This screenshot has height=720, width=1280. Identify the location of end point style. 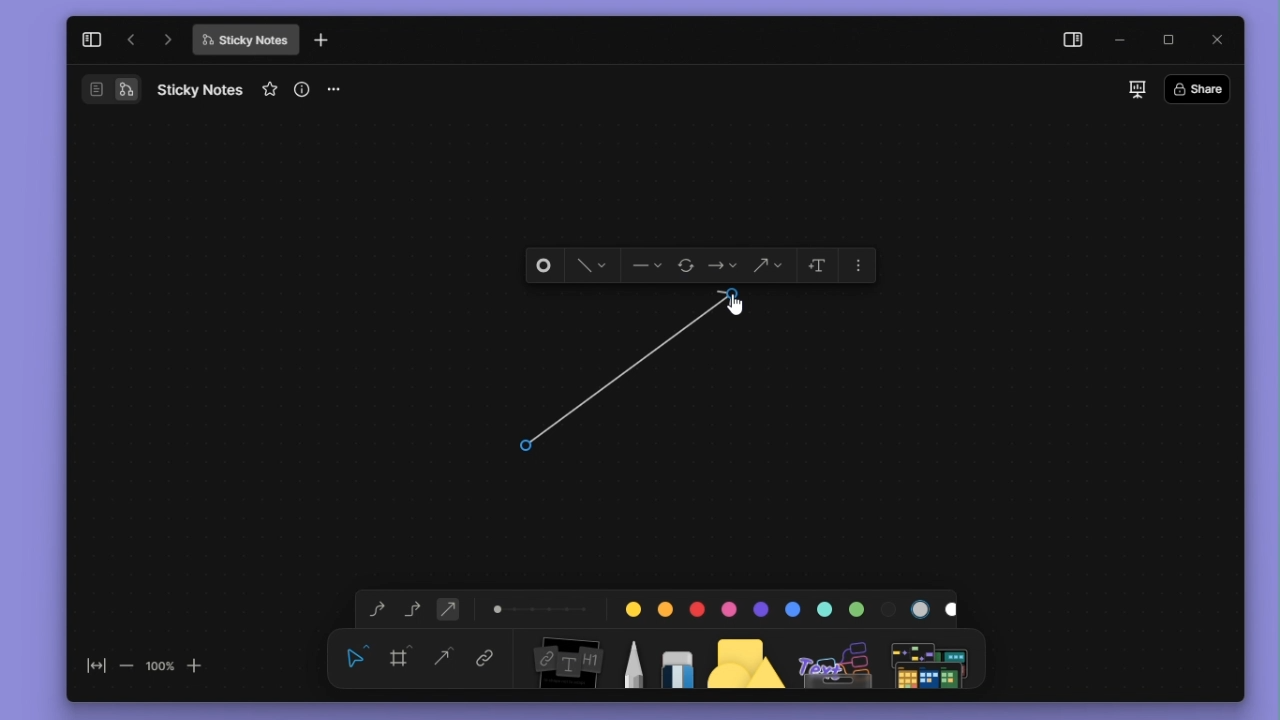
(723, 266).